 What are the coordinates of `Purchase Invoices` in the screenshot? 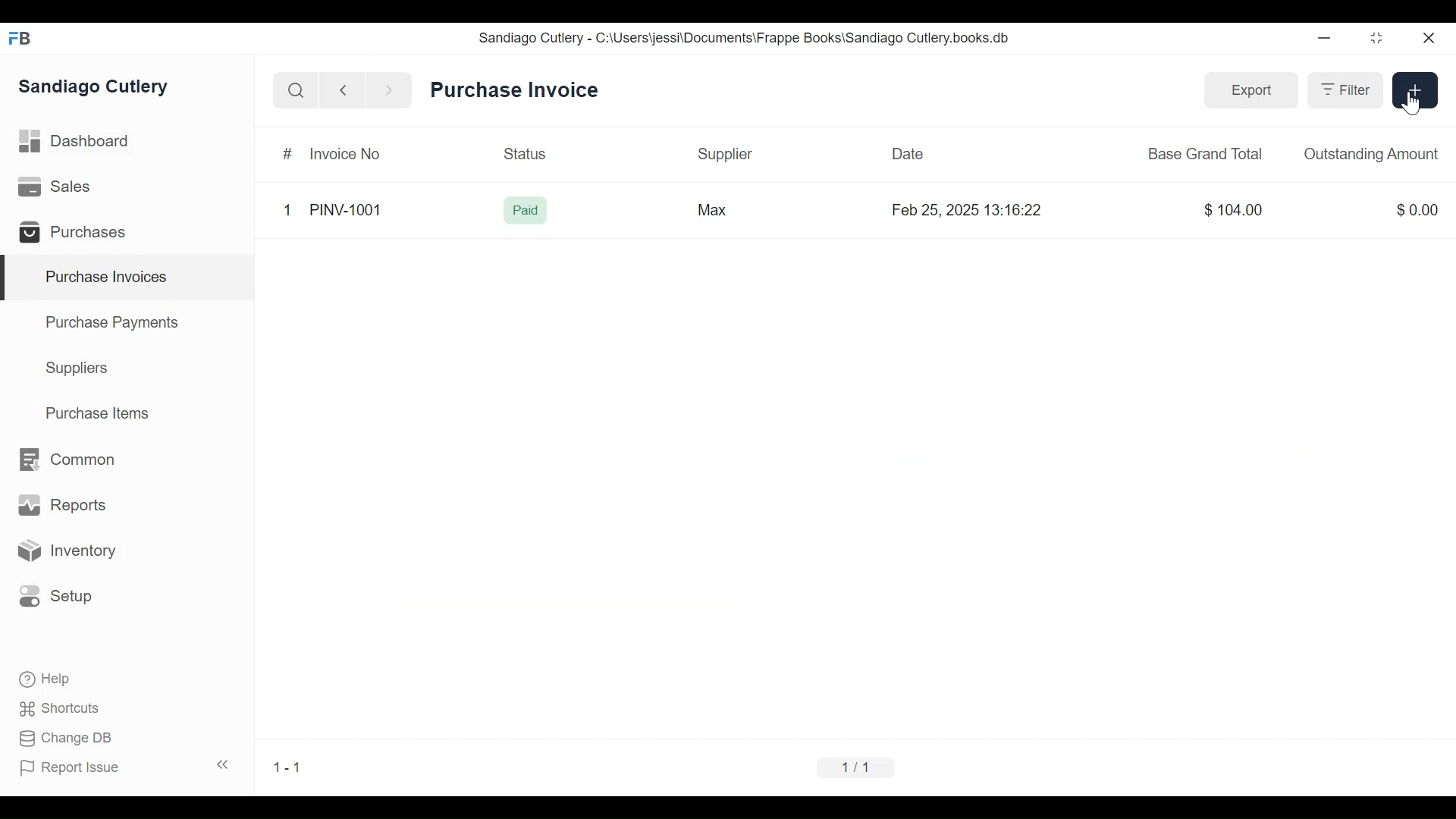 It's located at (128, 278).